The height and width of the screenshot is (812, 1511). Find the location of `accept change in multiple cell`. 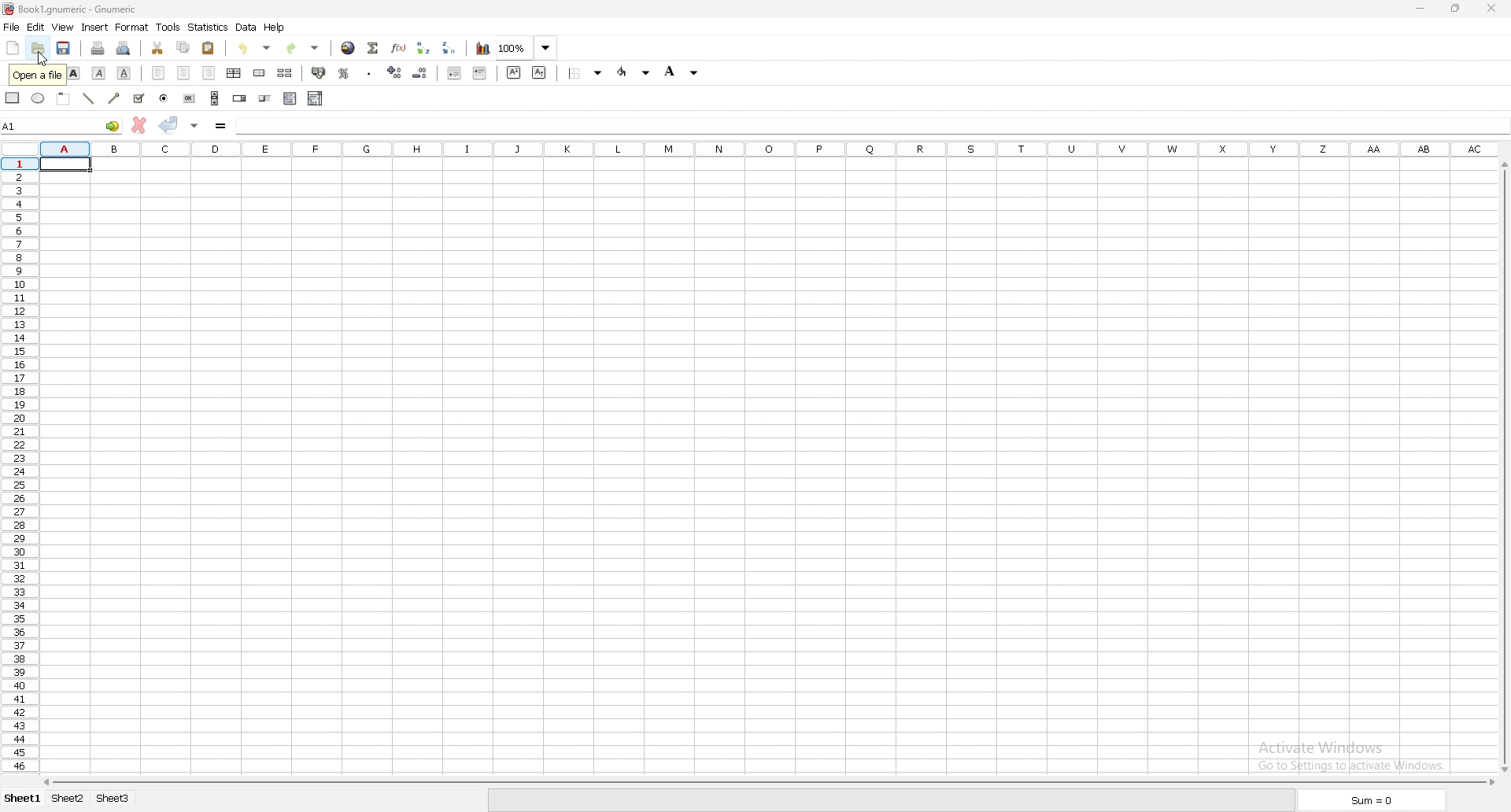

accept change in multiple cell is located at coordinates (194, 125).